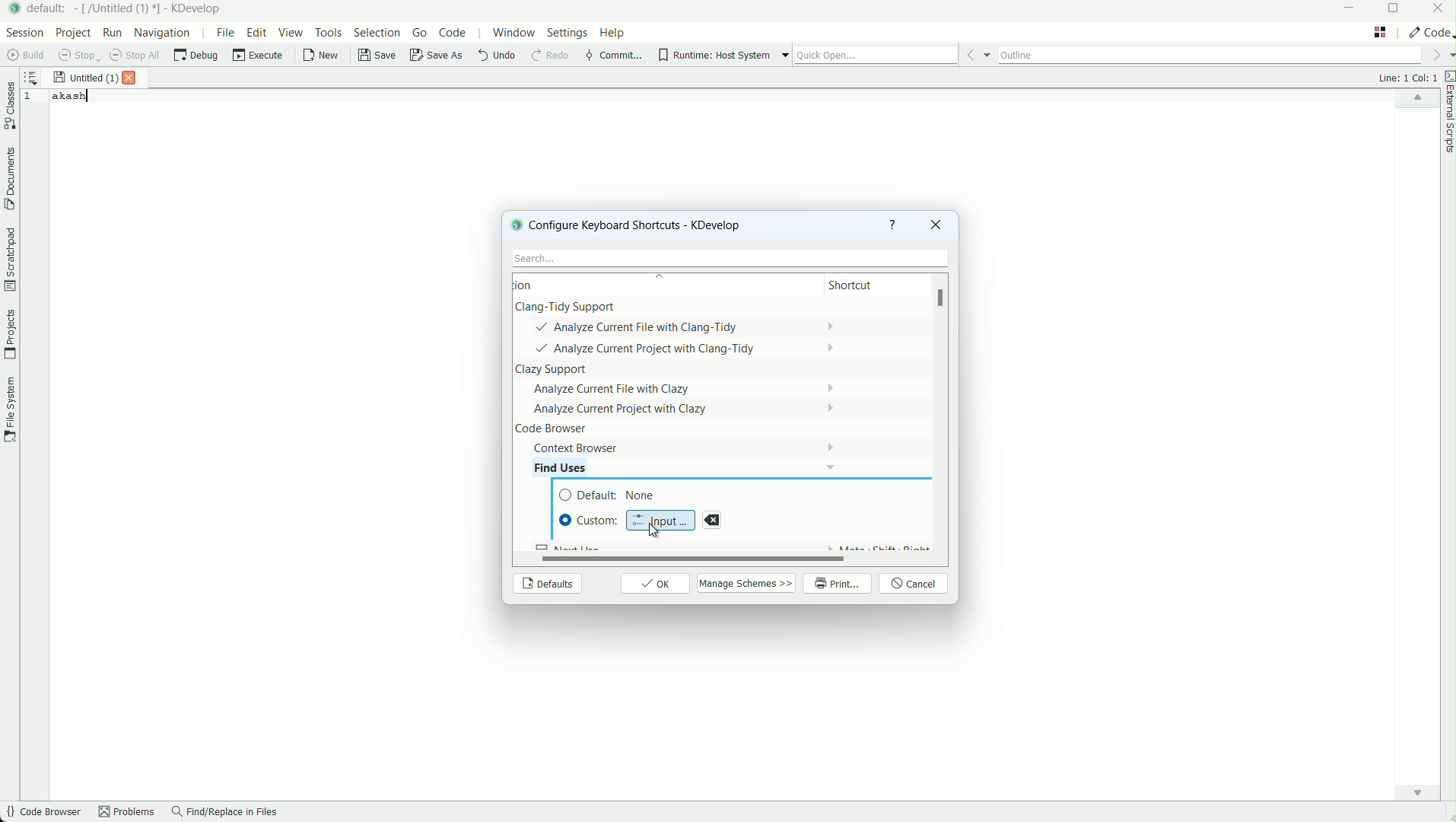 The width and height of the screenshot is (1456, 822). Describe the element at coordinates (9, 335) in the screenshot. I see `projects` at that location.